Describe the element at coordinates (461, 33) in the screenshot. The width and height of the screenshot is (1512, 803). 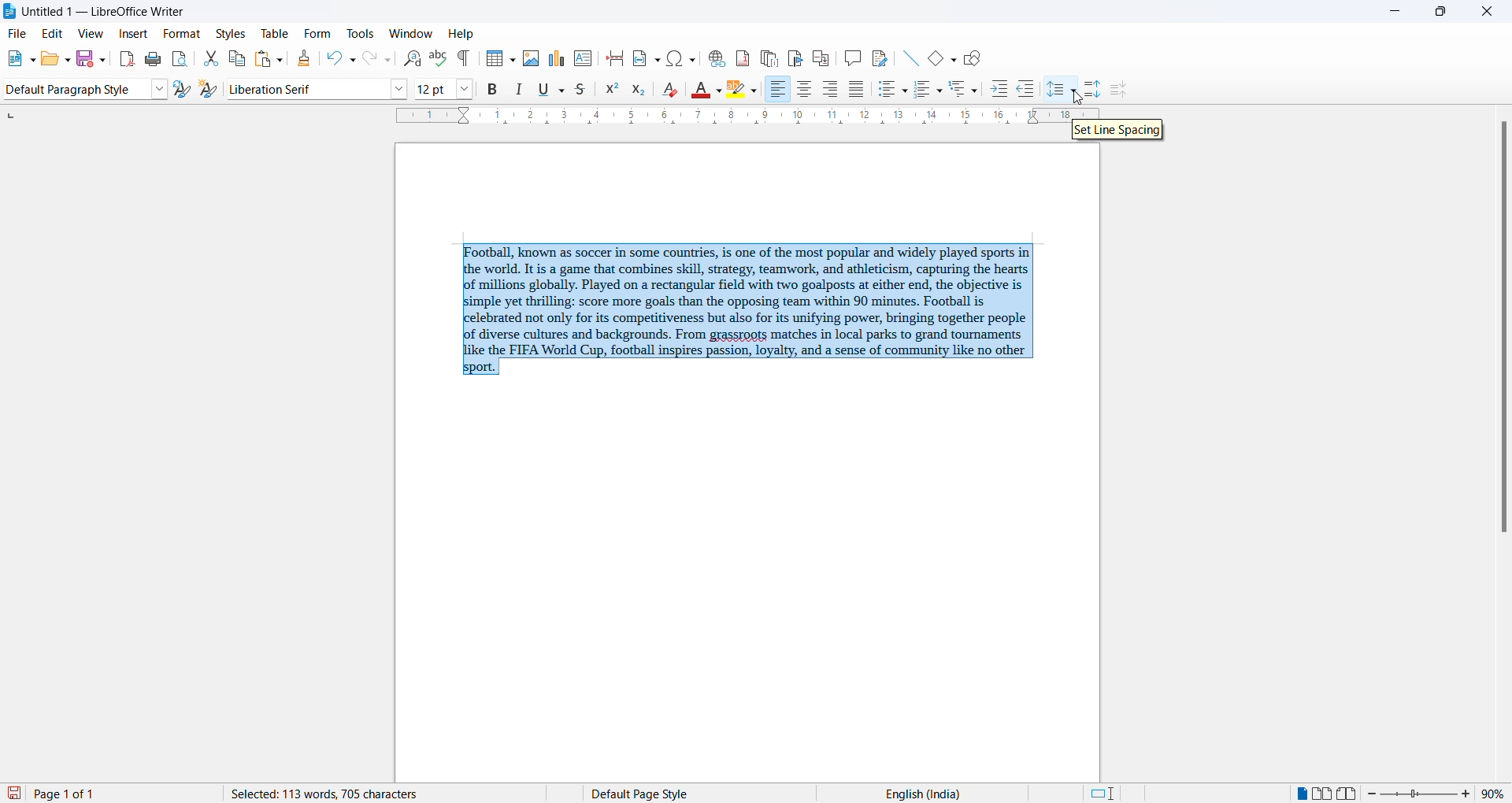
I see `help` at that location.